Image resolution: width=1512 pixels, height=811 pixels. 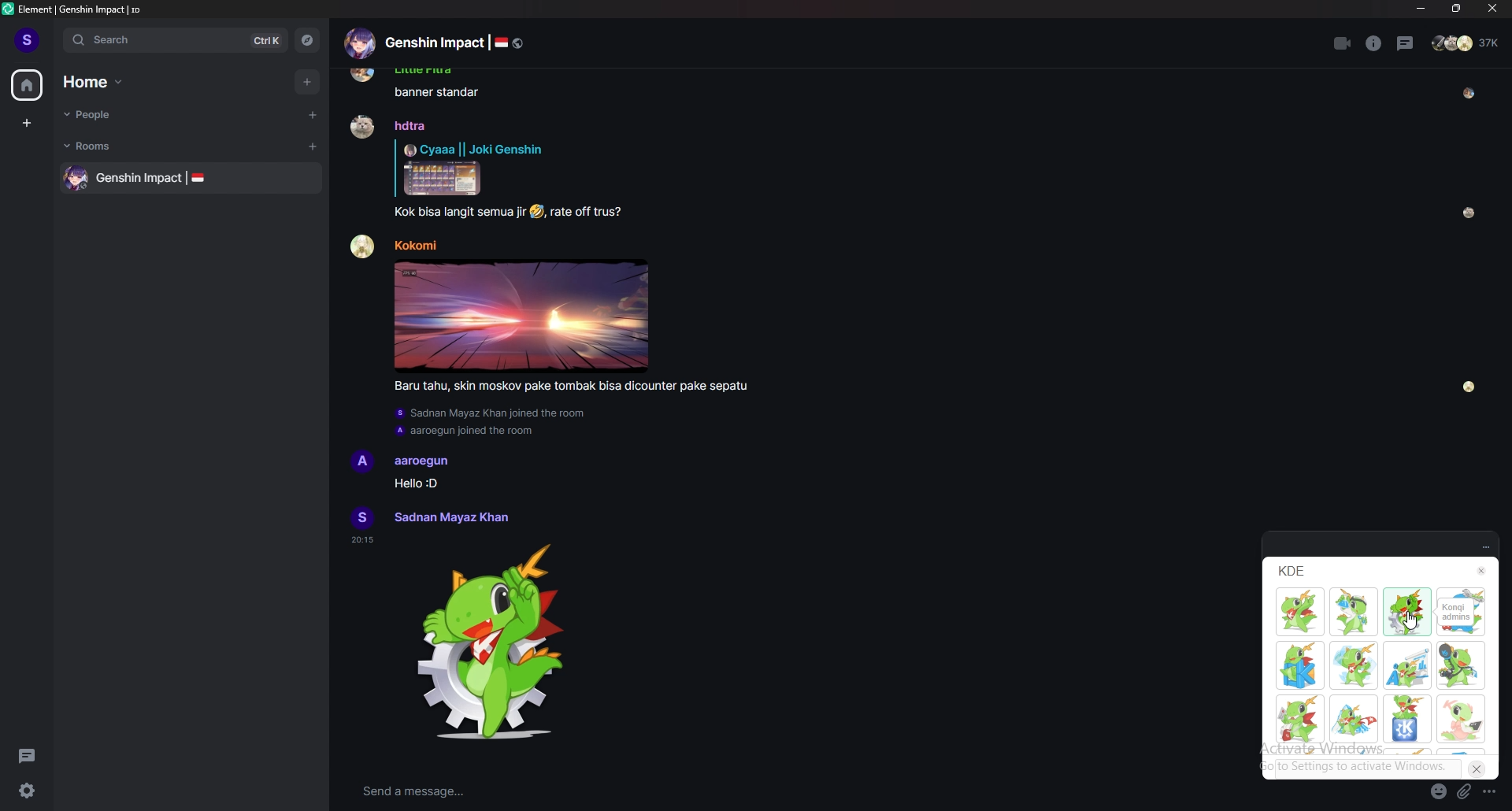 What do you see at coordinates (415, 483) in the screenshot?
I see `Hello :D` at bounding box center [415, 483].